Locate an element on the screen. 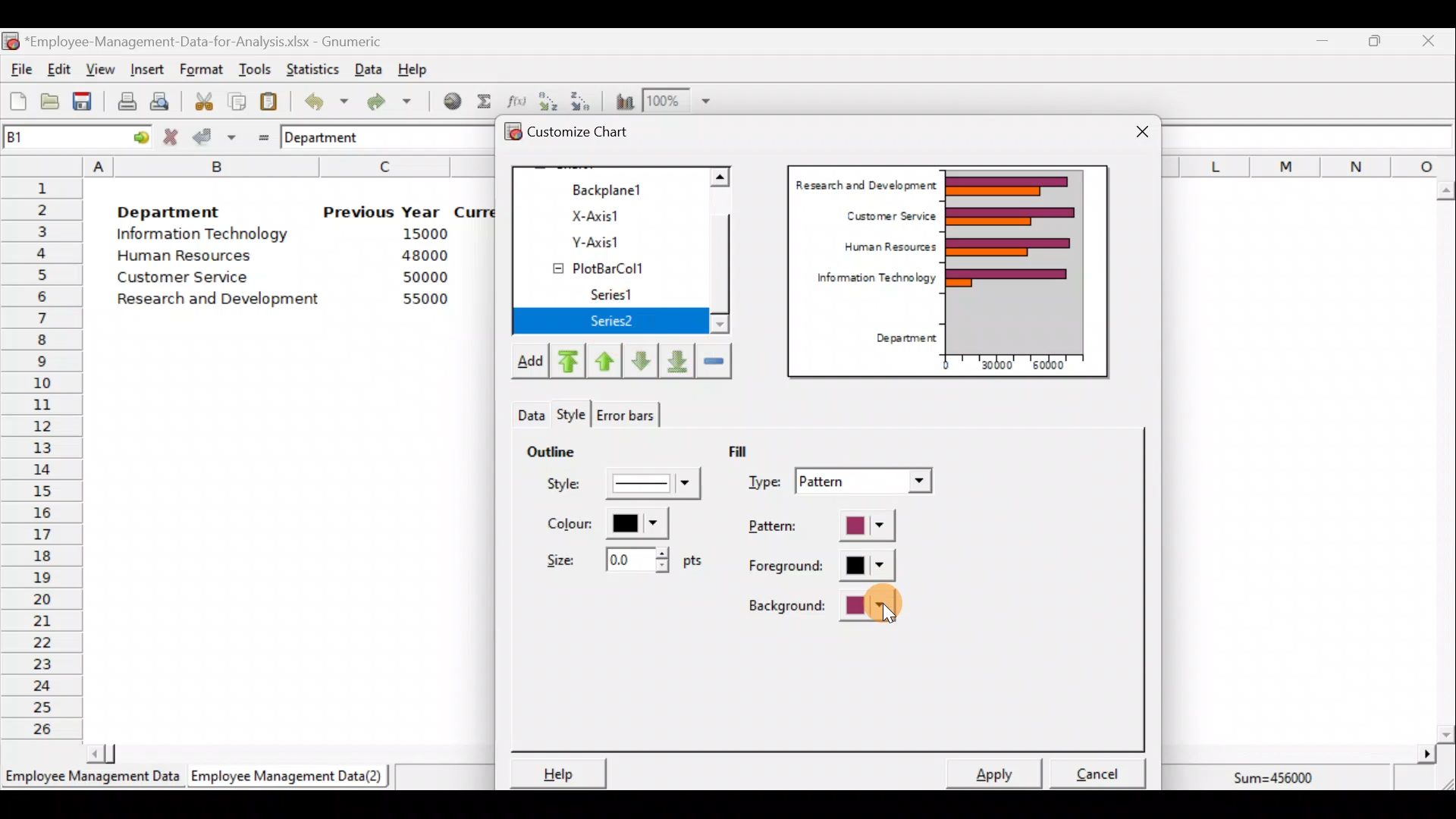 Image resolution: width=1456 pixels, height=819 pixels. Sum into the current cell is located at coordinates (482, 101).